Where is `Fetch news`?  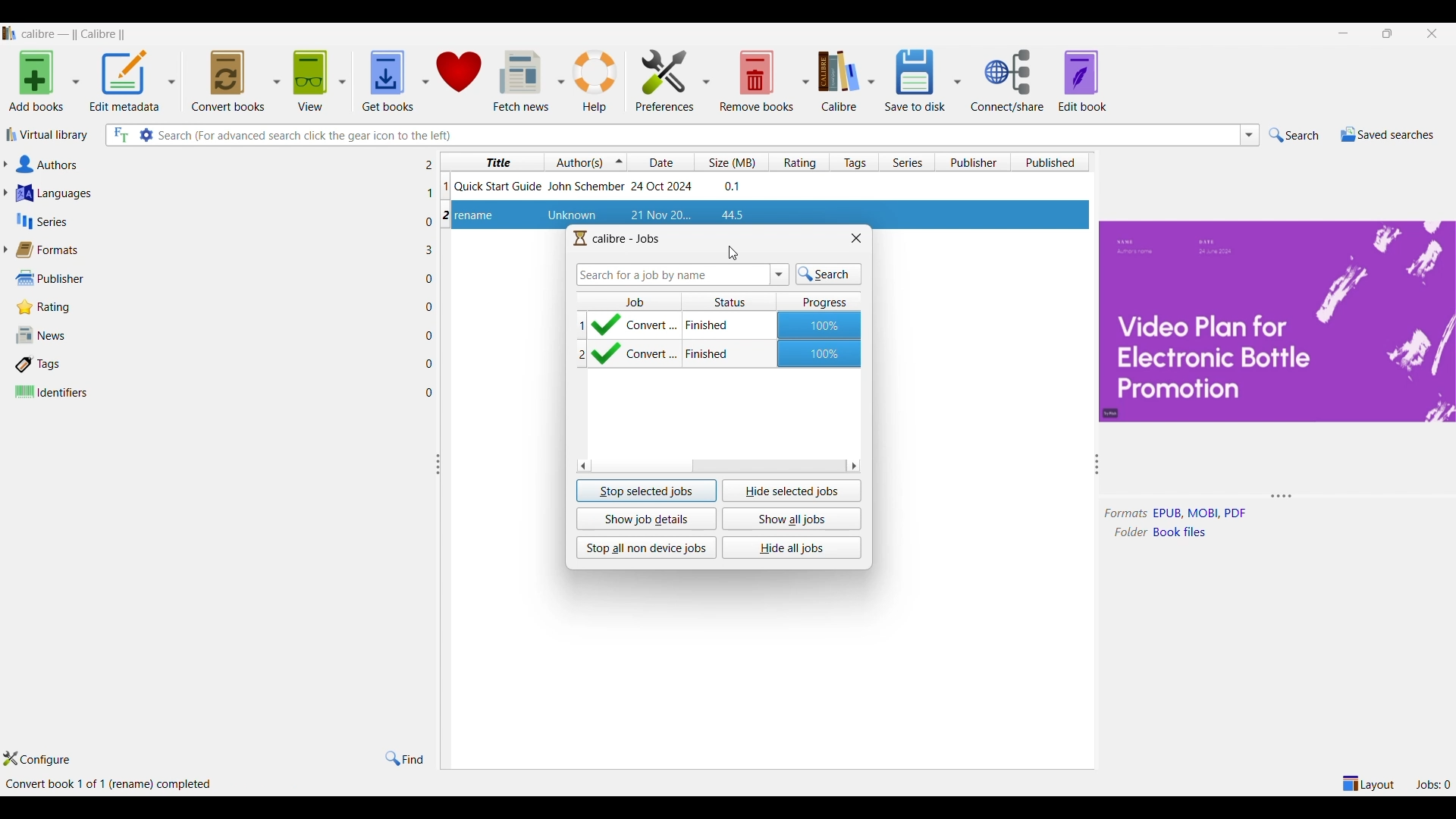
Fetch news is located at coordinates (520, 81).